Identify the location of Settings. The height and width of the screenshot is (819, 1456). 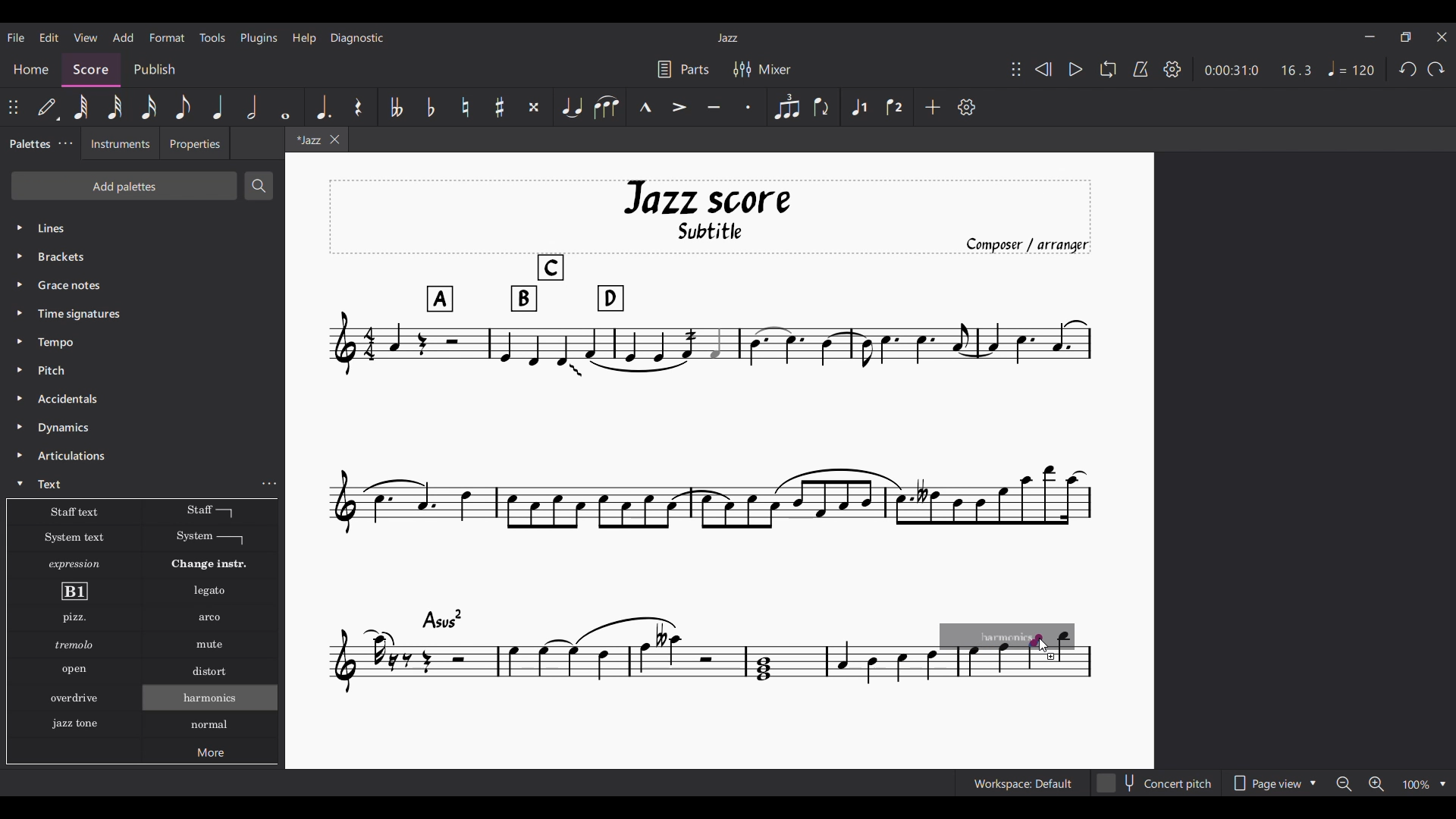
(1172, 70).